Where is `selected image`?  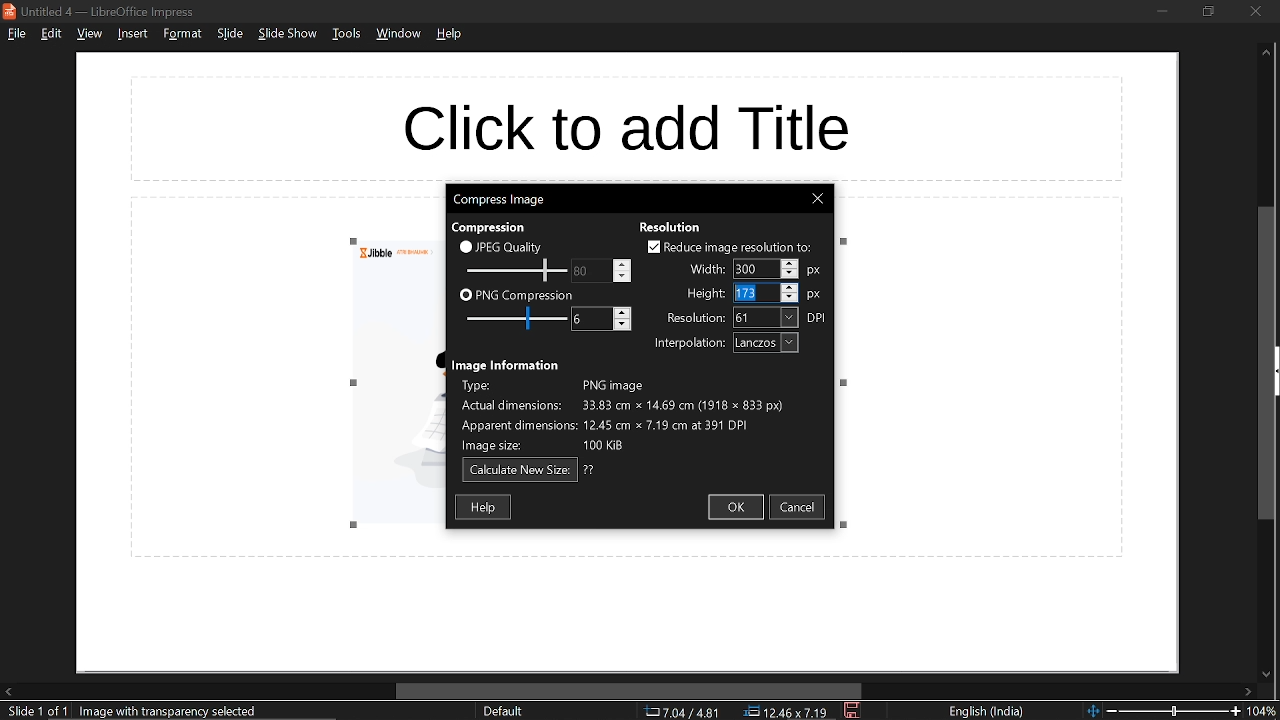
selected image is located at coordinates (173, 711).